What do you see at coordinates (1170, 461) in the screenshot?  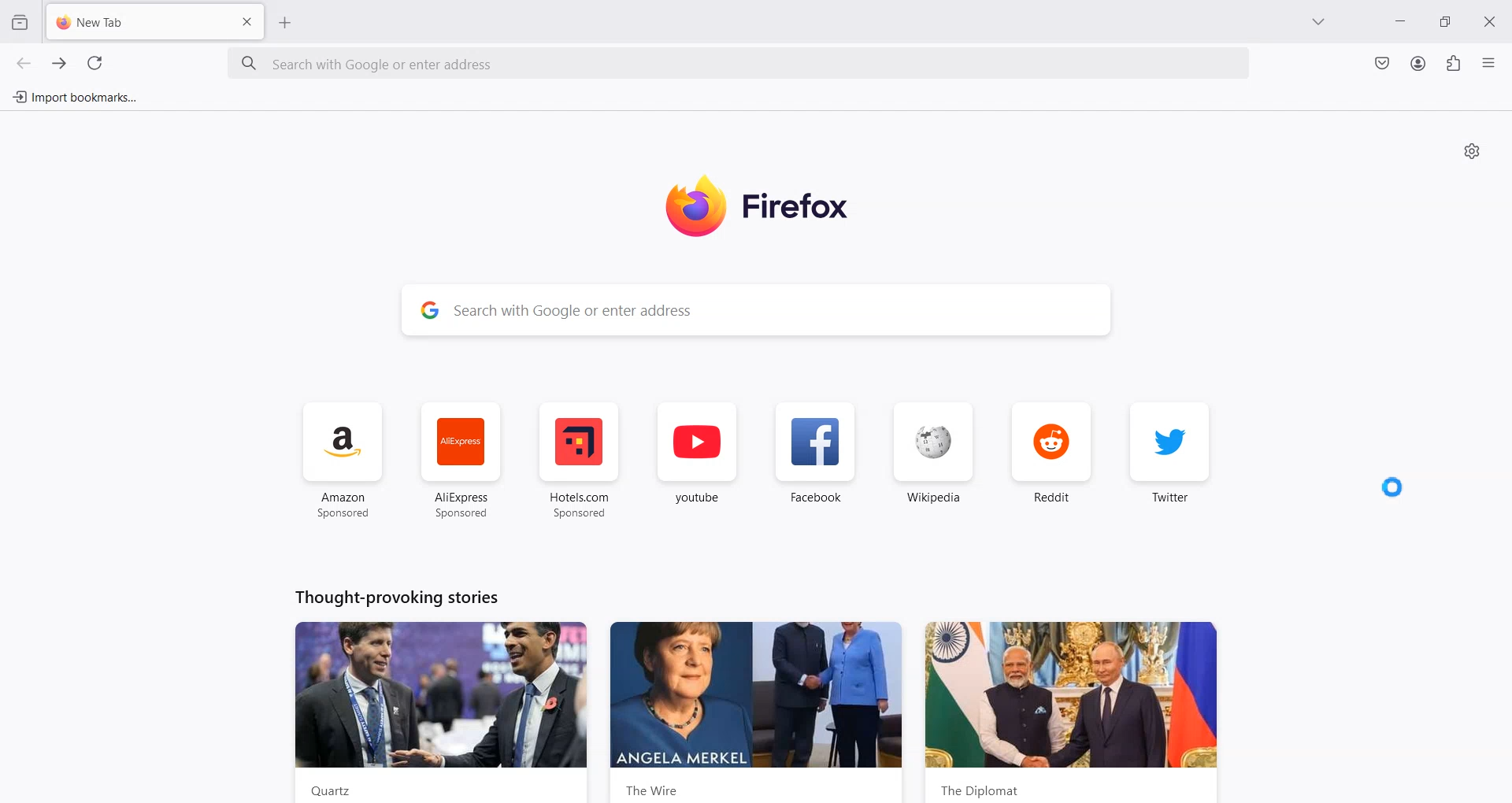 I see `Twitter` at bounding box center [1170, 461].